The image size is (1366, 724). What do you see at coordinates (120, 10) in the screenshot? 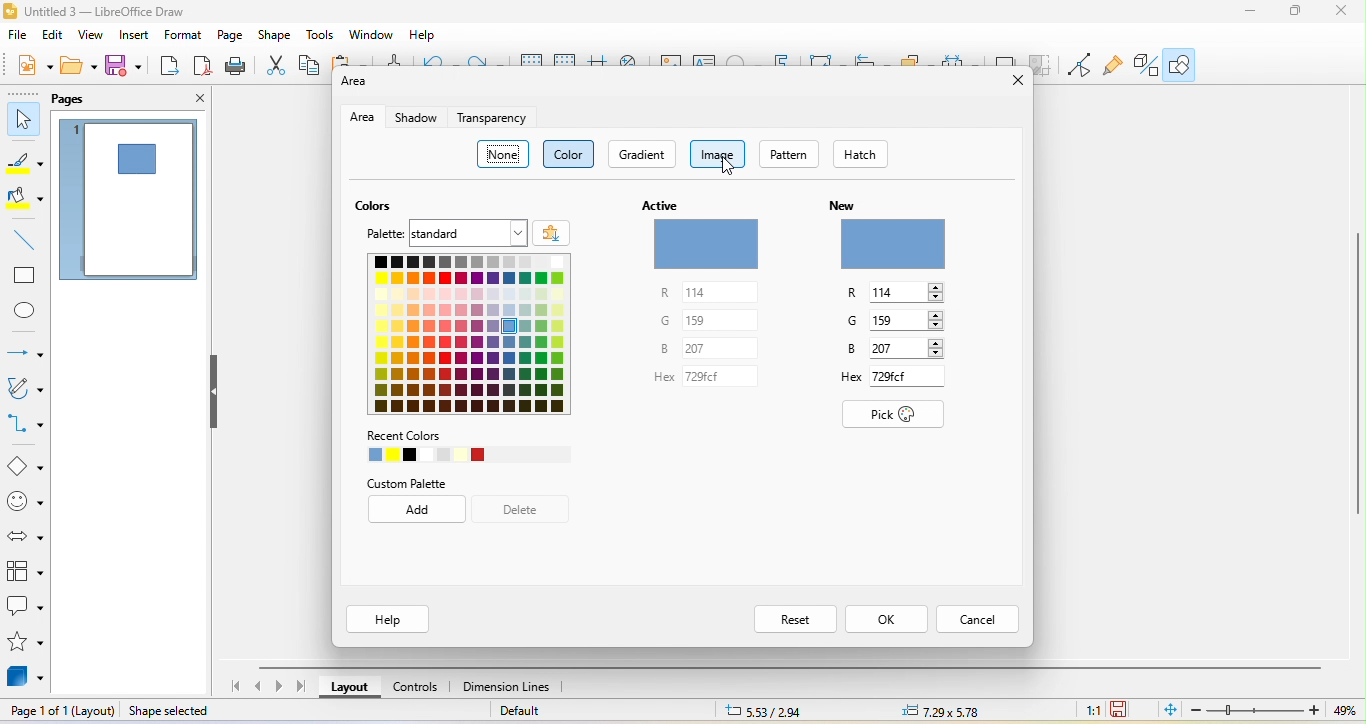
I see `title` at bounding box center [120, 10].